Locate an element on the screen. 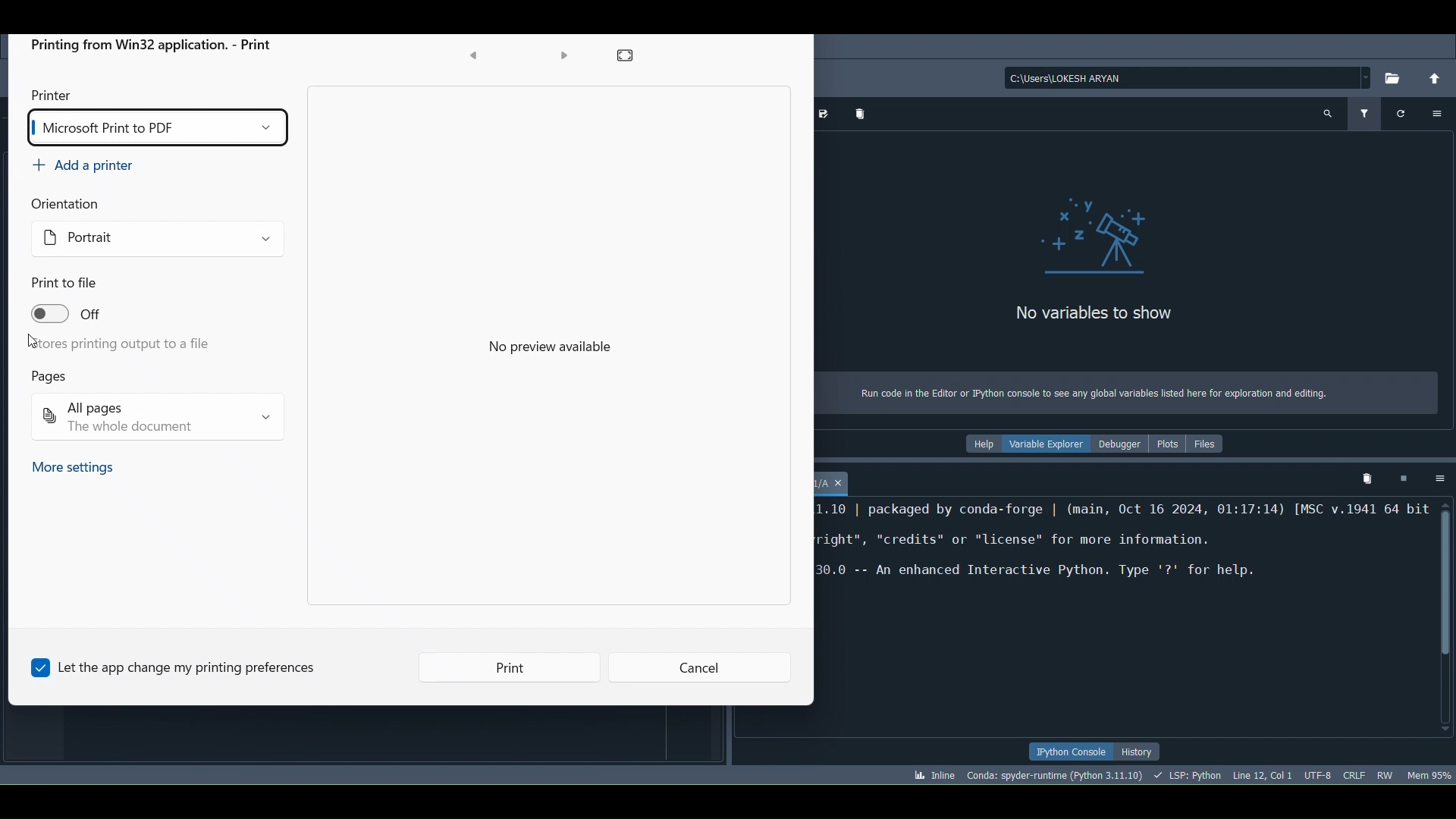 The image size is (1456, 819). Remove all variables from namespace is located at coordinates (1363, 478).